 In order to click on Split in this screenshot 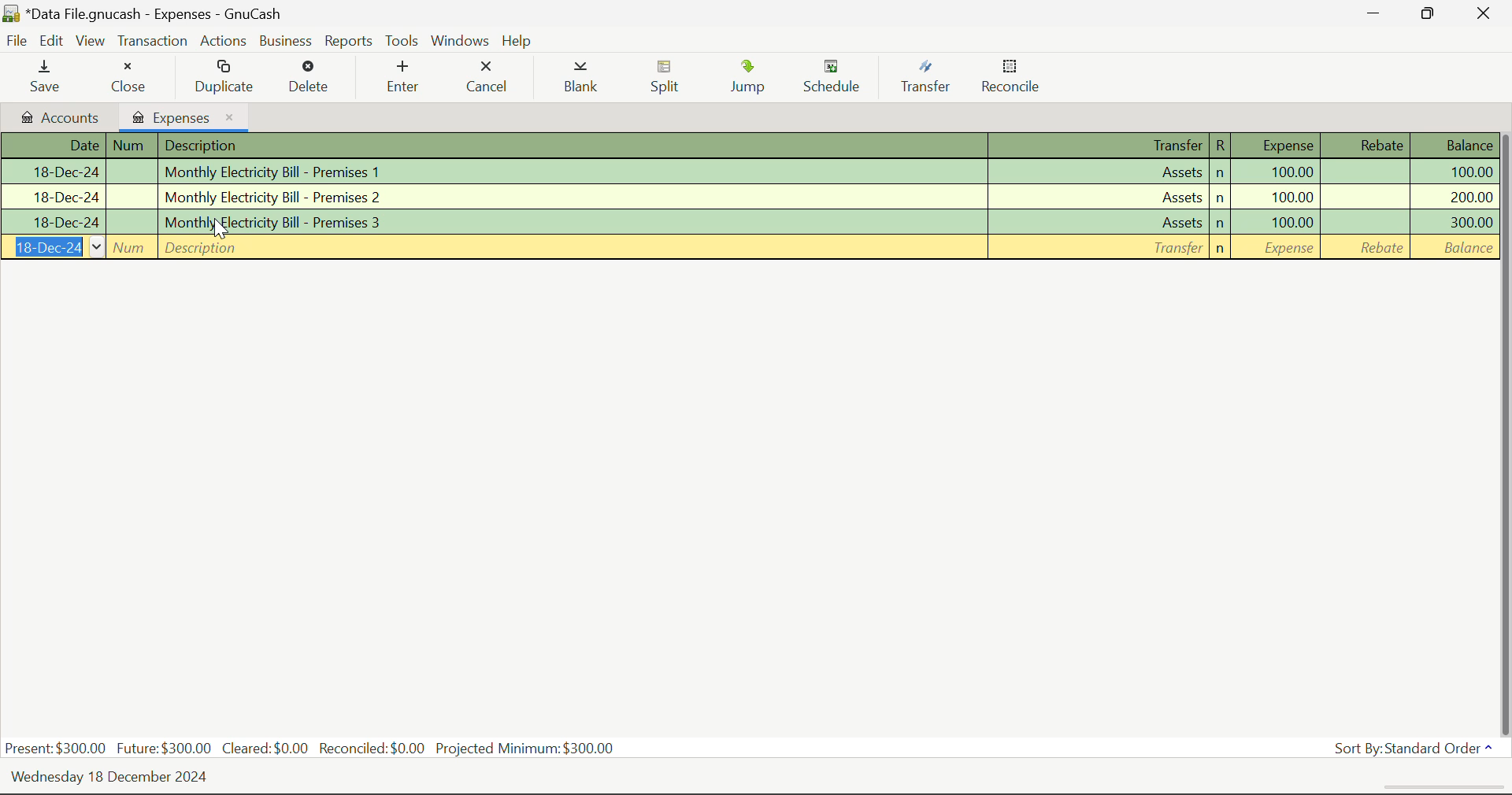, I will do `click(673, 79)`.